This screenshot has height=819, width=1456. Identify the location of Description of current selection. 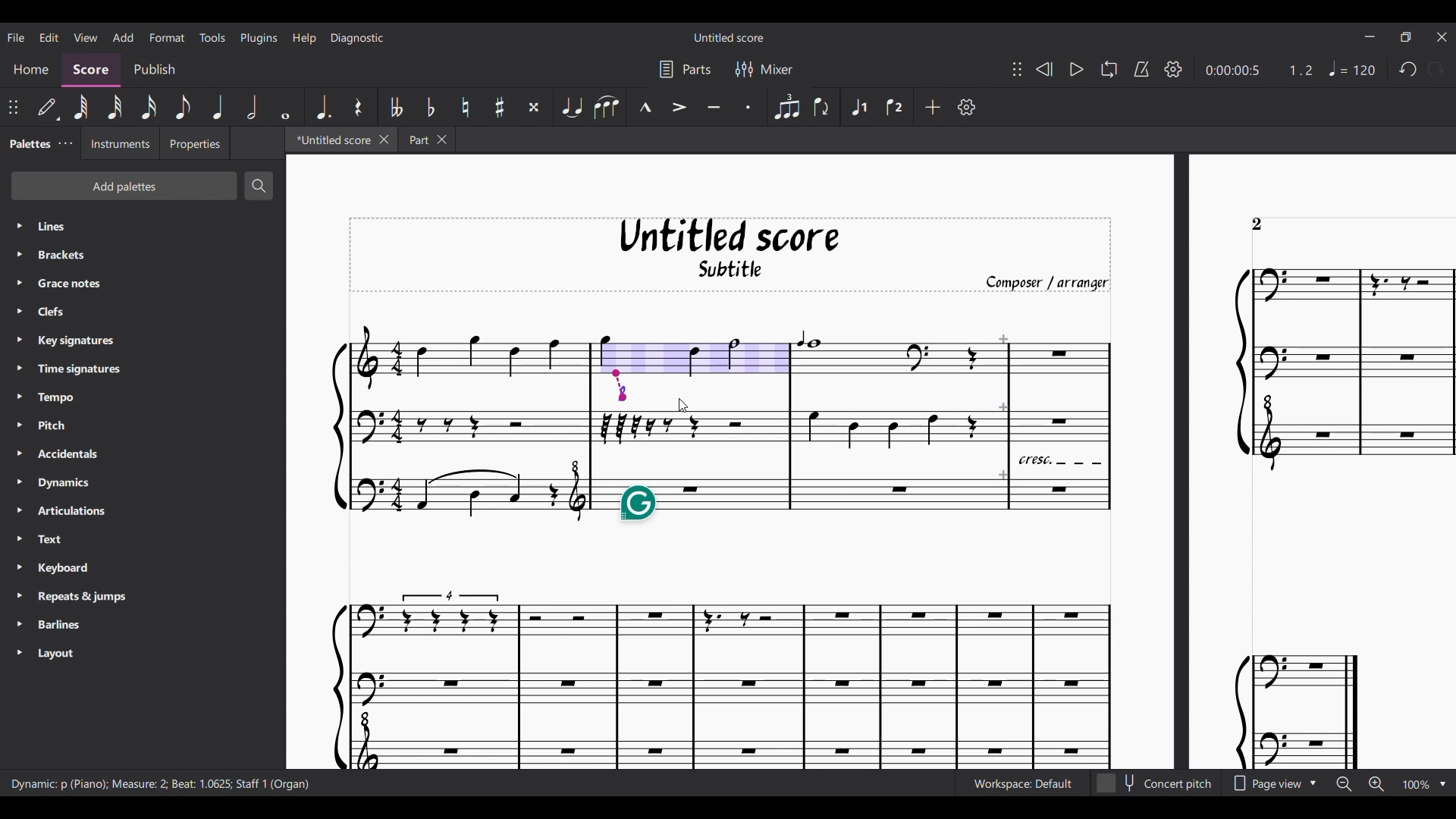
(161, 784).